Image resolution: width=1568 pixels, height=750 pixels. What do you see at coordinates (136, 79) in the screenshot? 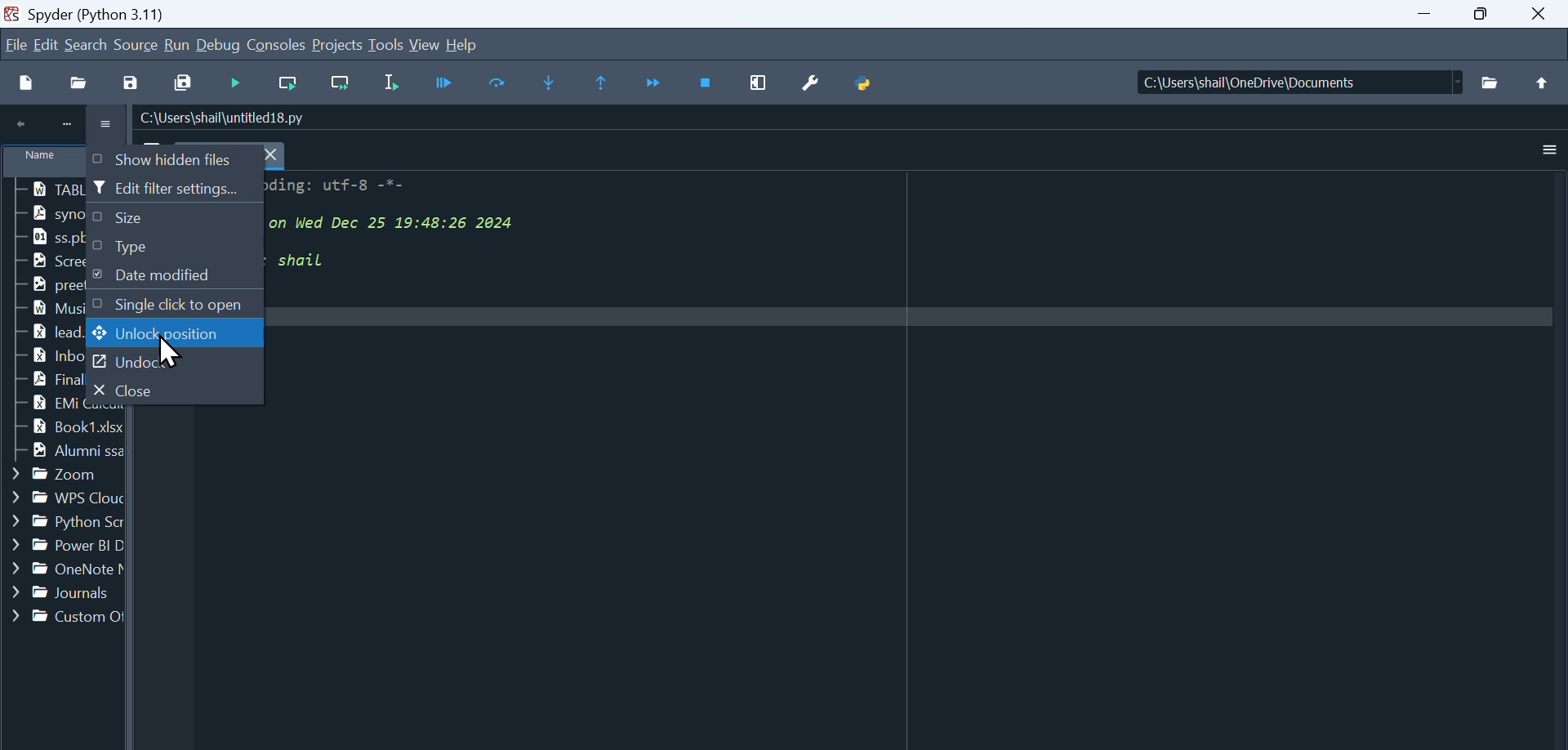
I see `Save` at bounding box center [136, 79].